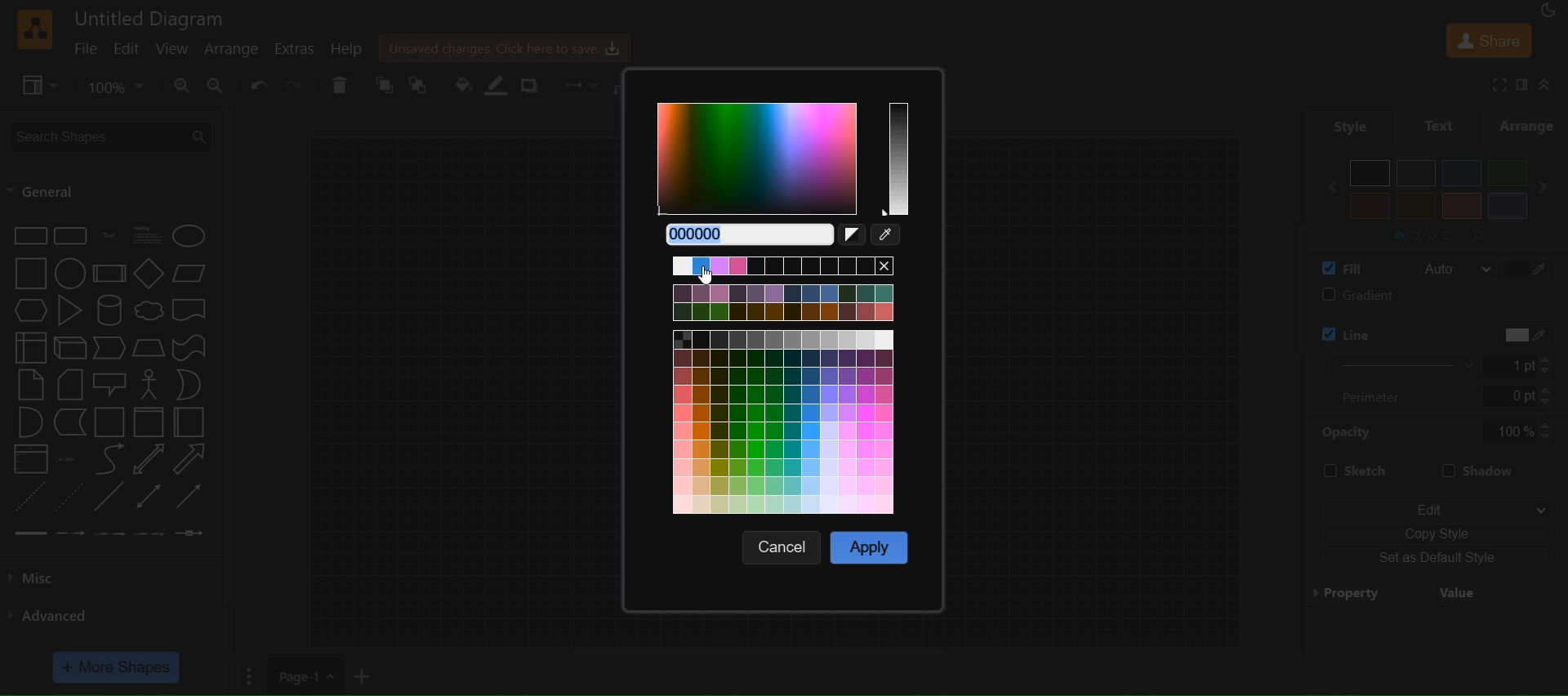  What do you see at coordinates (149, 312) in the screenshot?
I see `cloud` at bounding box center [149, 312].